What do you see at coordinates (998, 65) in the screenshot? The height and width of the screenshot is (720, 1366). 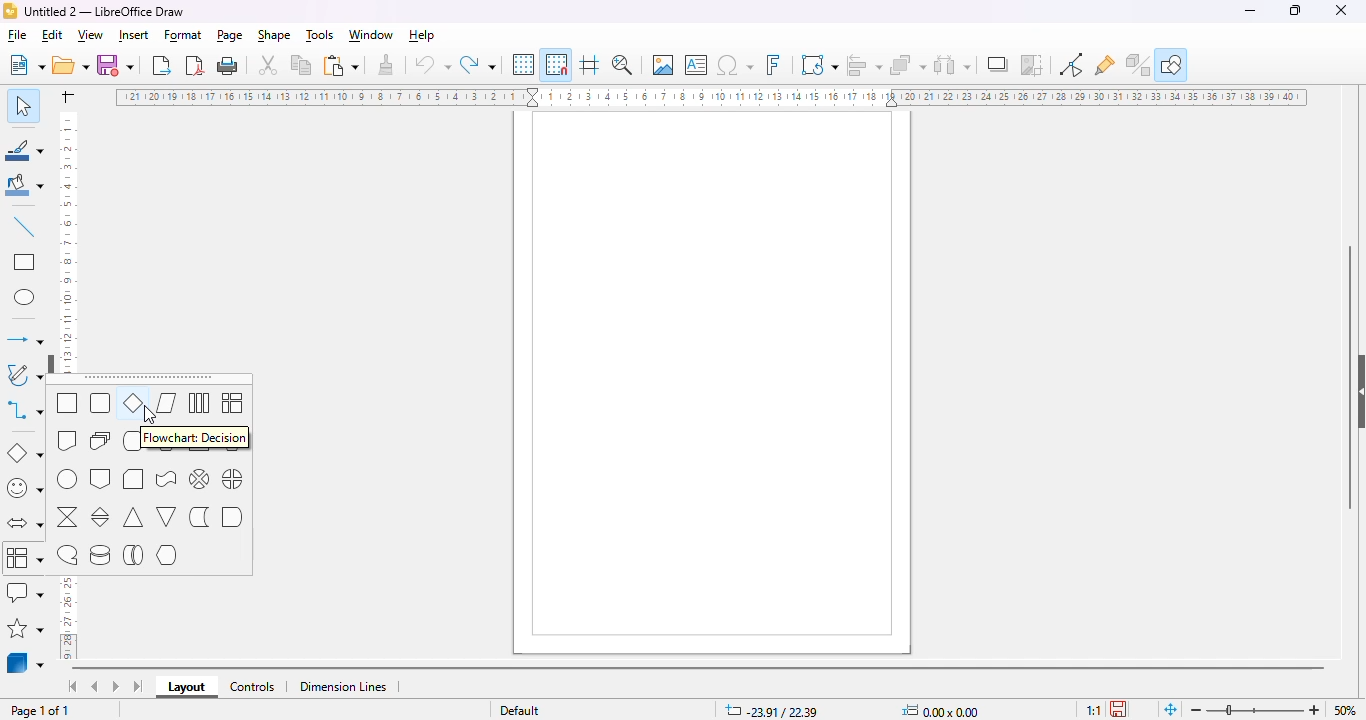 I see `shadow` at bounding box center [998, 65].